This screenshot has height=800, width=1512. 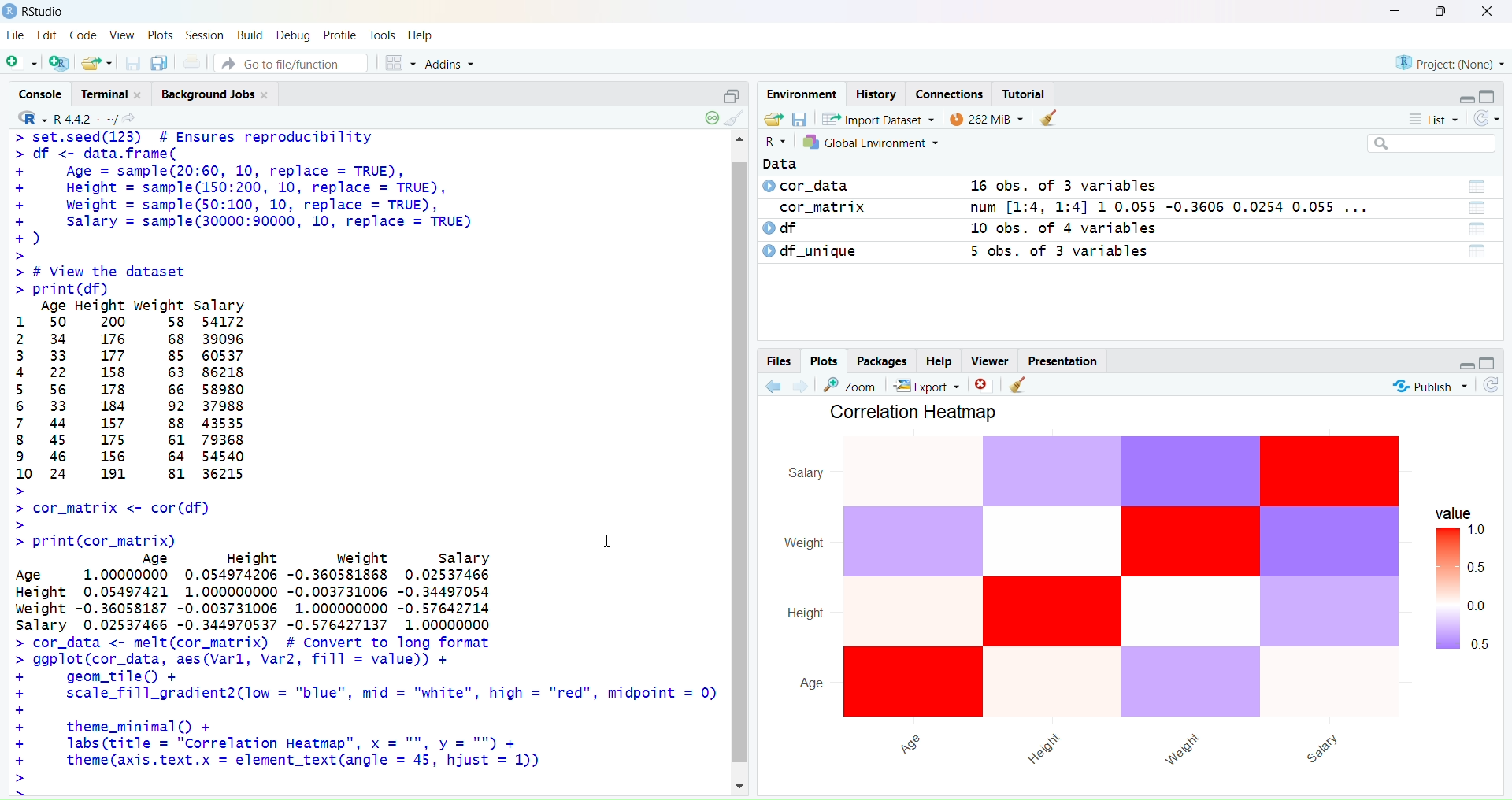 What do you see at coordinates (812, 686) in the screenshot?
I see `Age` at bounding box center [812, 686].